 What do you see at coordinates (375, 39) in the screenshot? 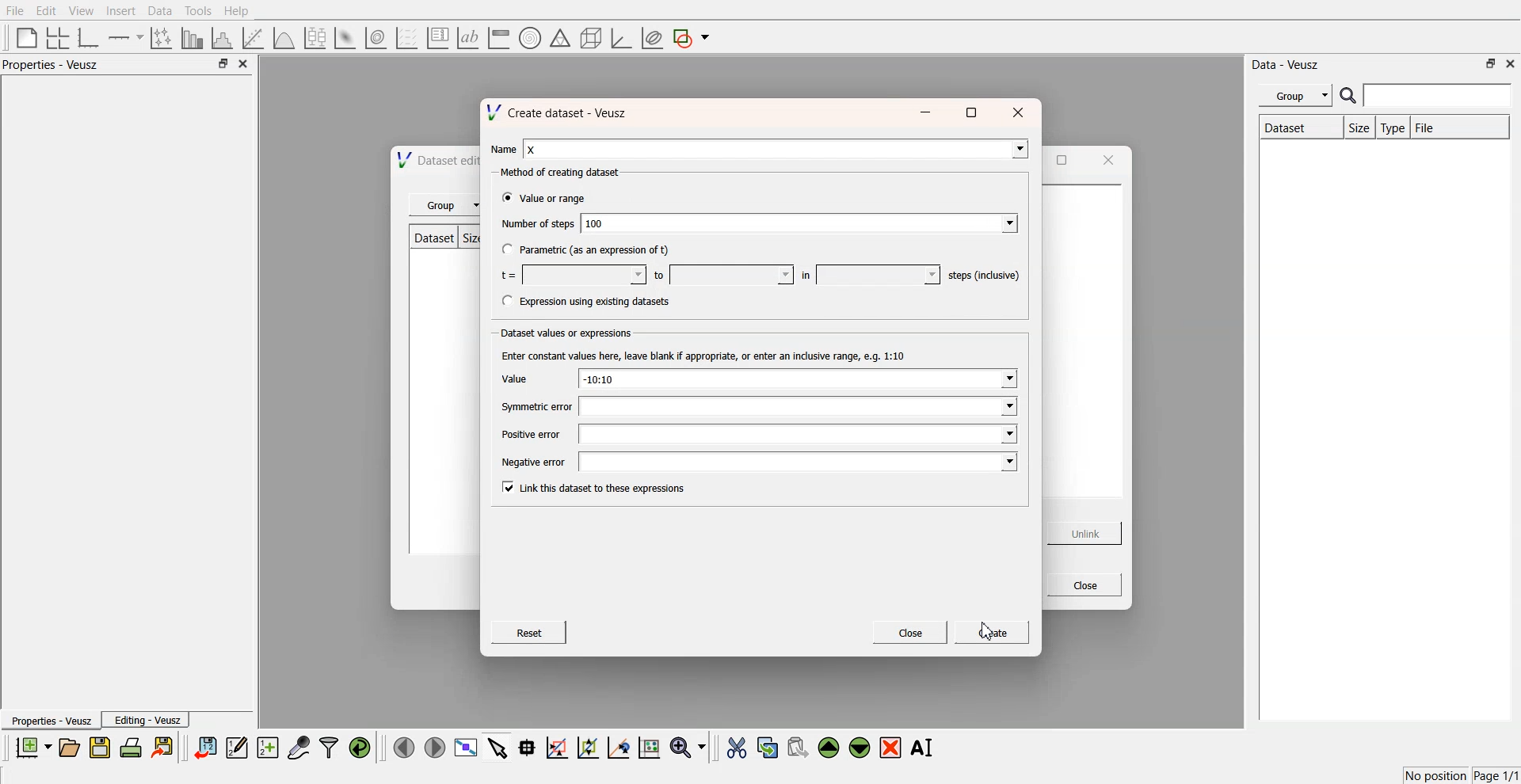
I see `plot a 2d data set as contour` at bounding box center [375, 39].